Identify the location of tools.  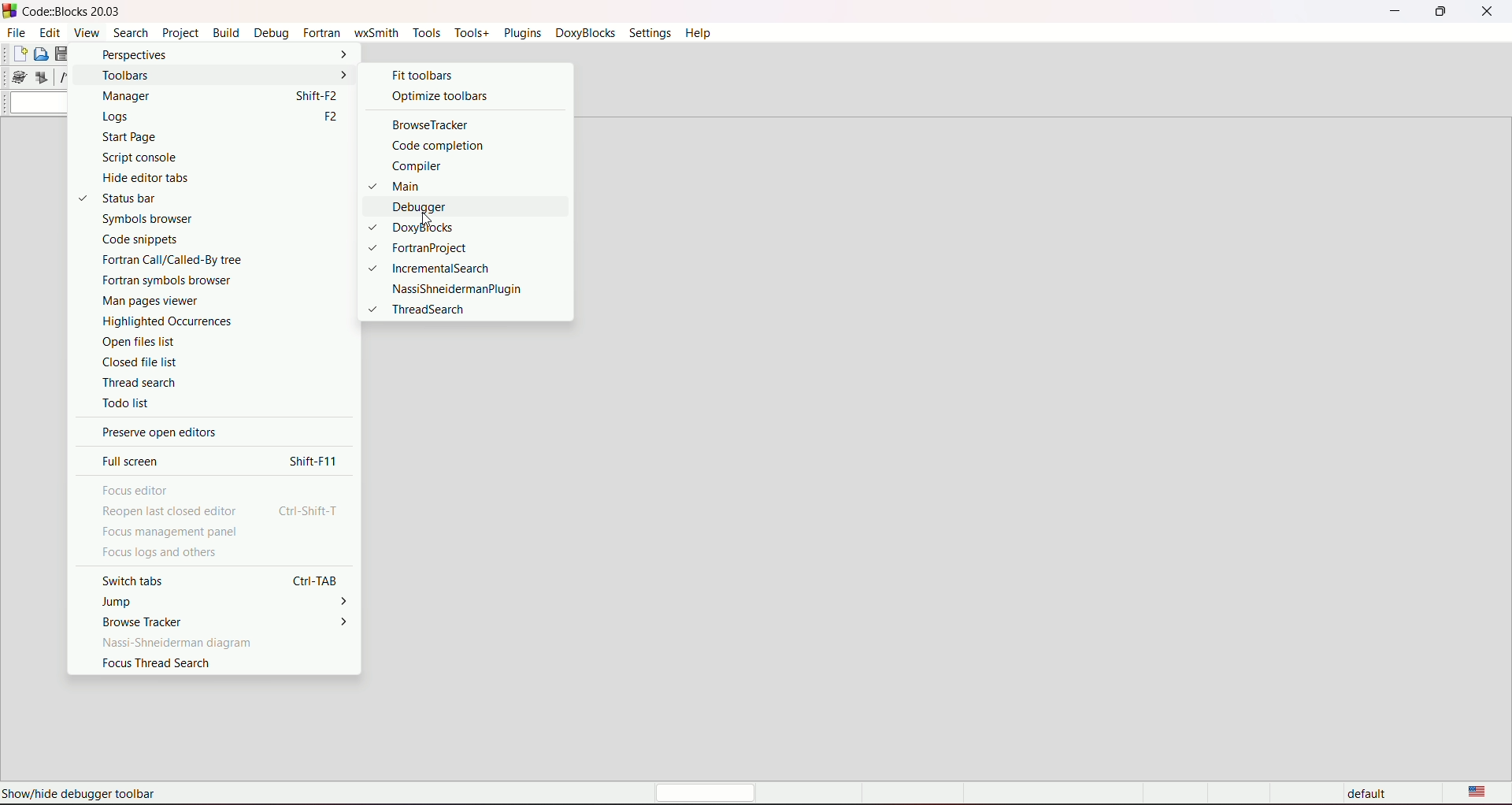
(426, 32).